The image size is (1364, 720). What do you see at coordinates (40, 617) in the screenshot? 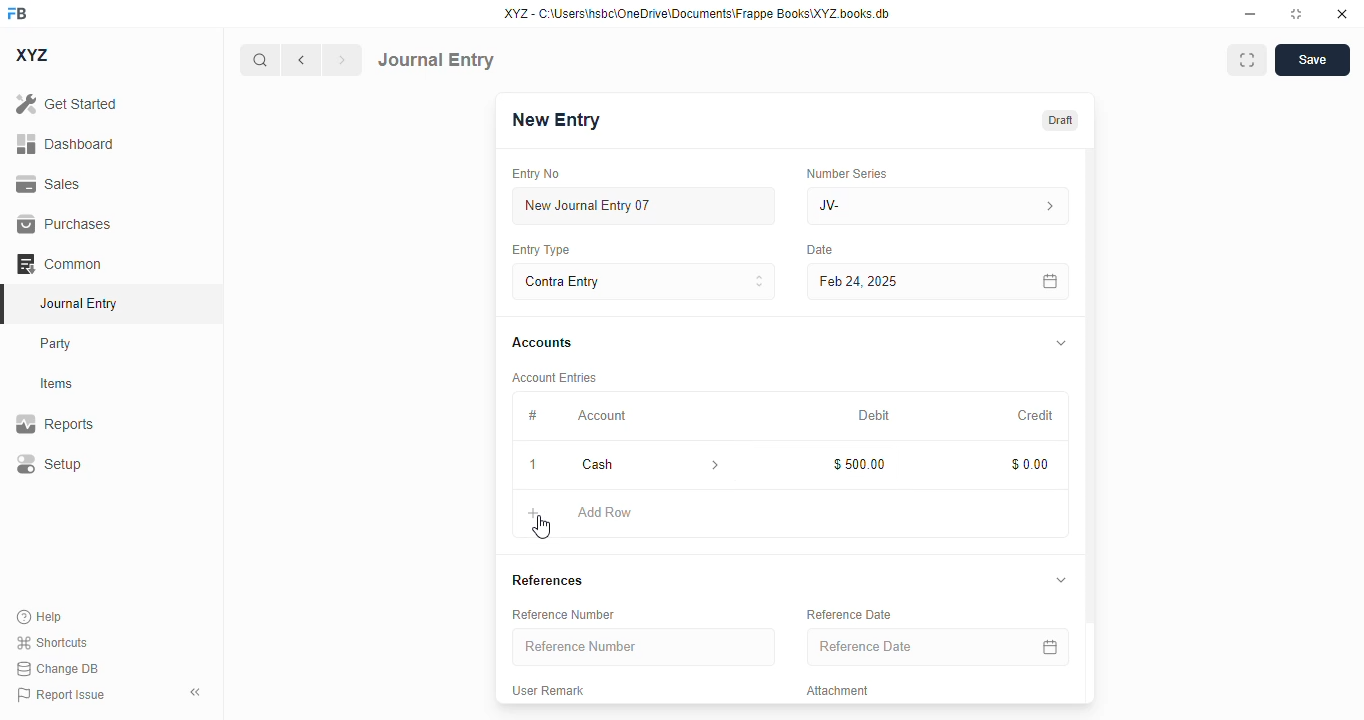
I see `help` at bounding box center [40, 617].